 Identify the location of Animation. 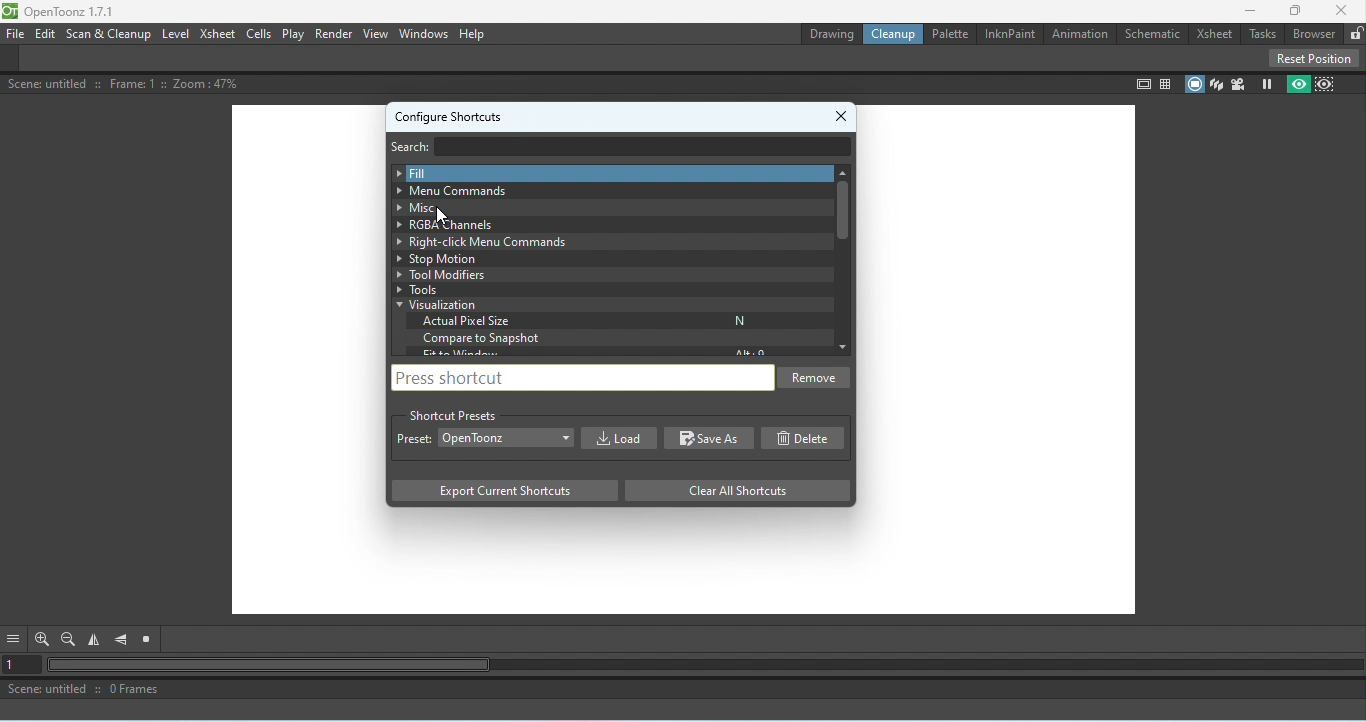
(1077, 31).